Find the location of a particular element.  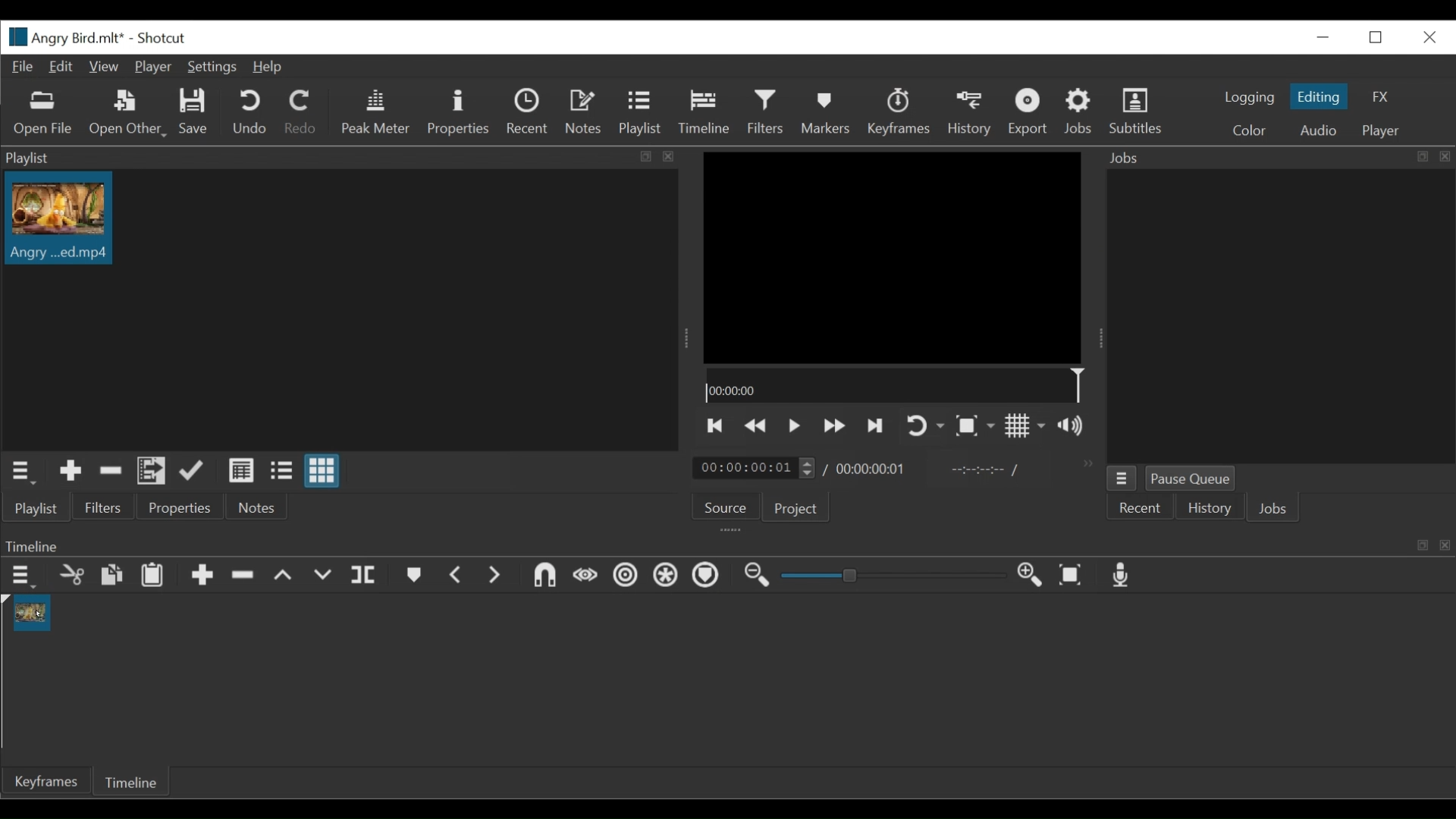

Keyframes is located at coordinates (902, 114).